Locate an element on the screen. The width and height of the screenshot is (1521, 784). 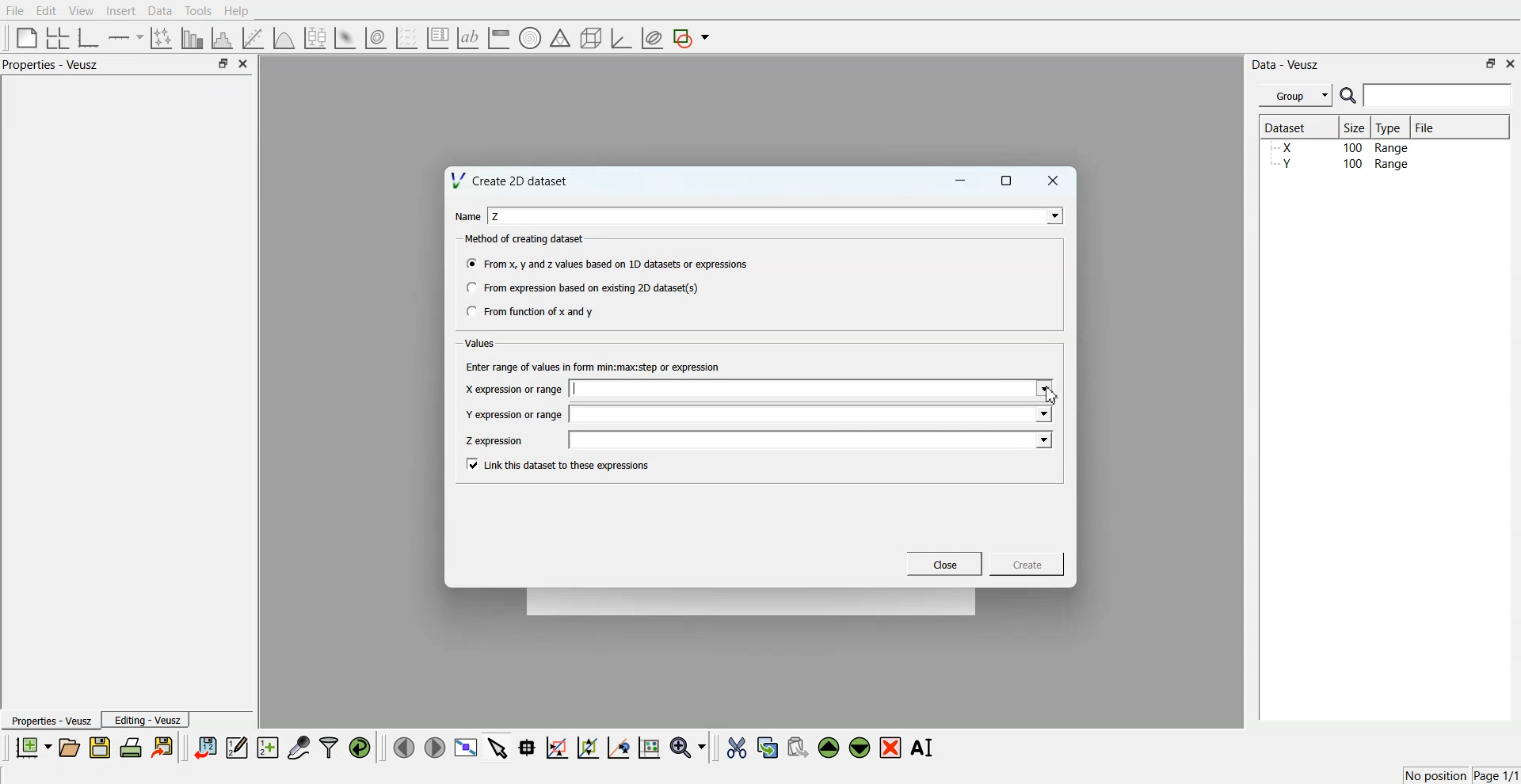
Type is located at coordinates (1390, 127).